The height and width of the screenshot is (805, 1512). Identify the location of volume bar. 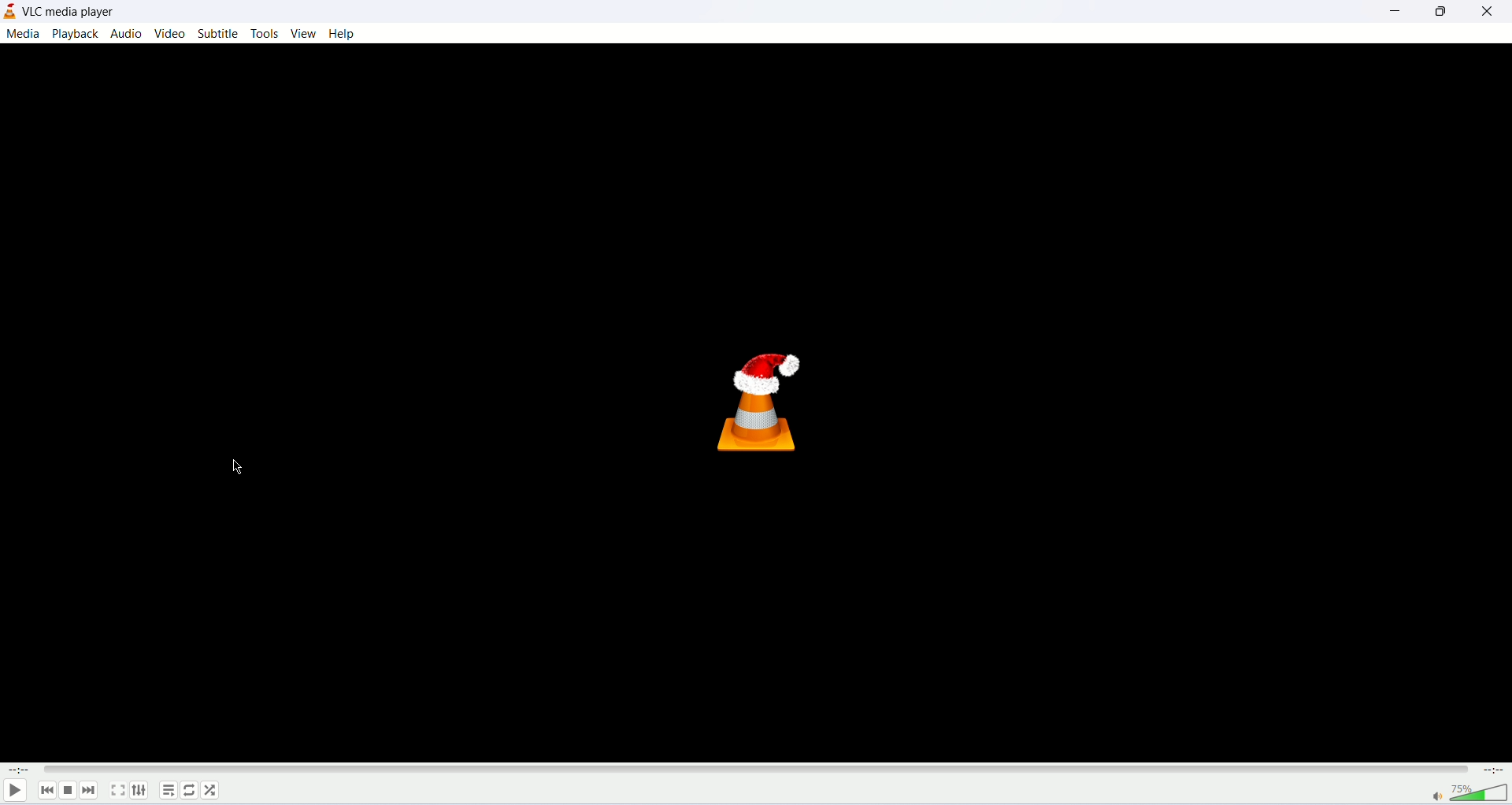
(1483, 793).